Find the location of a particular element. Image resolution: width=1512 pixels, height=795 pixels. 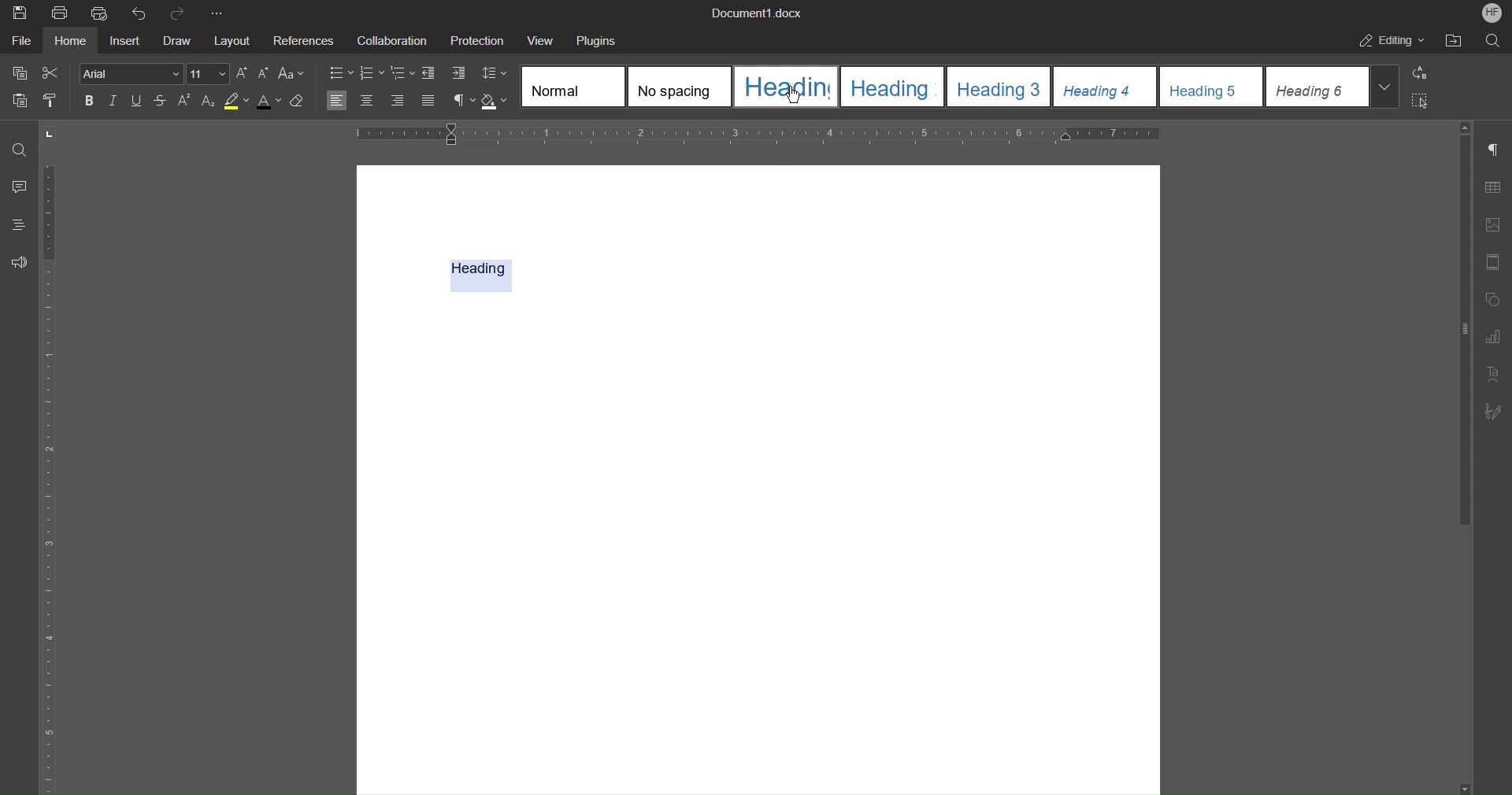

More headings is located at coordinates (1384, 92).